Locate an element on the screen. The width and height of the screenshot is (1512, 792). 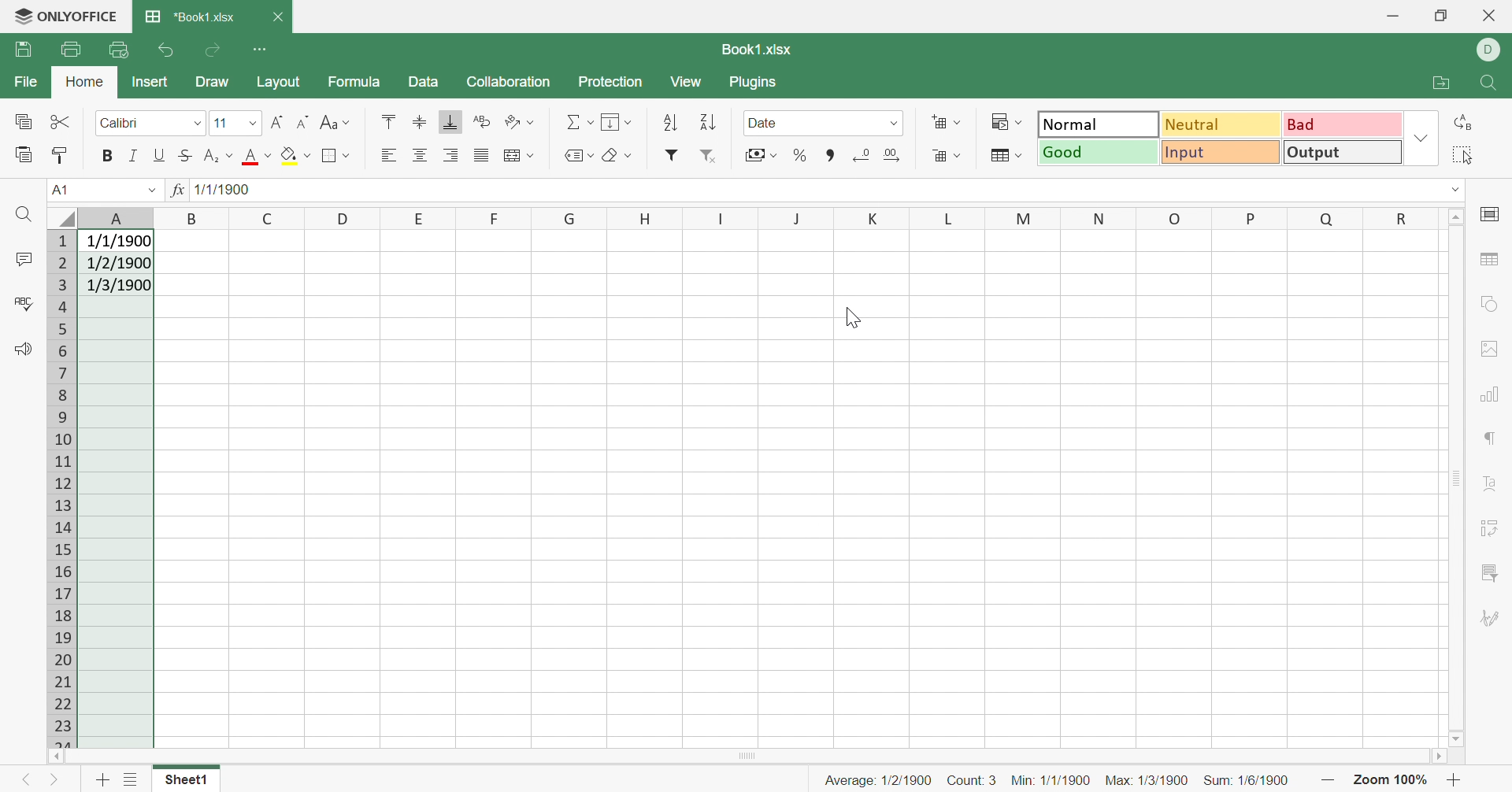
Shape settings is located at coordinates (1489, 305).